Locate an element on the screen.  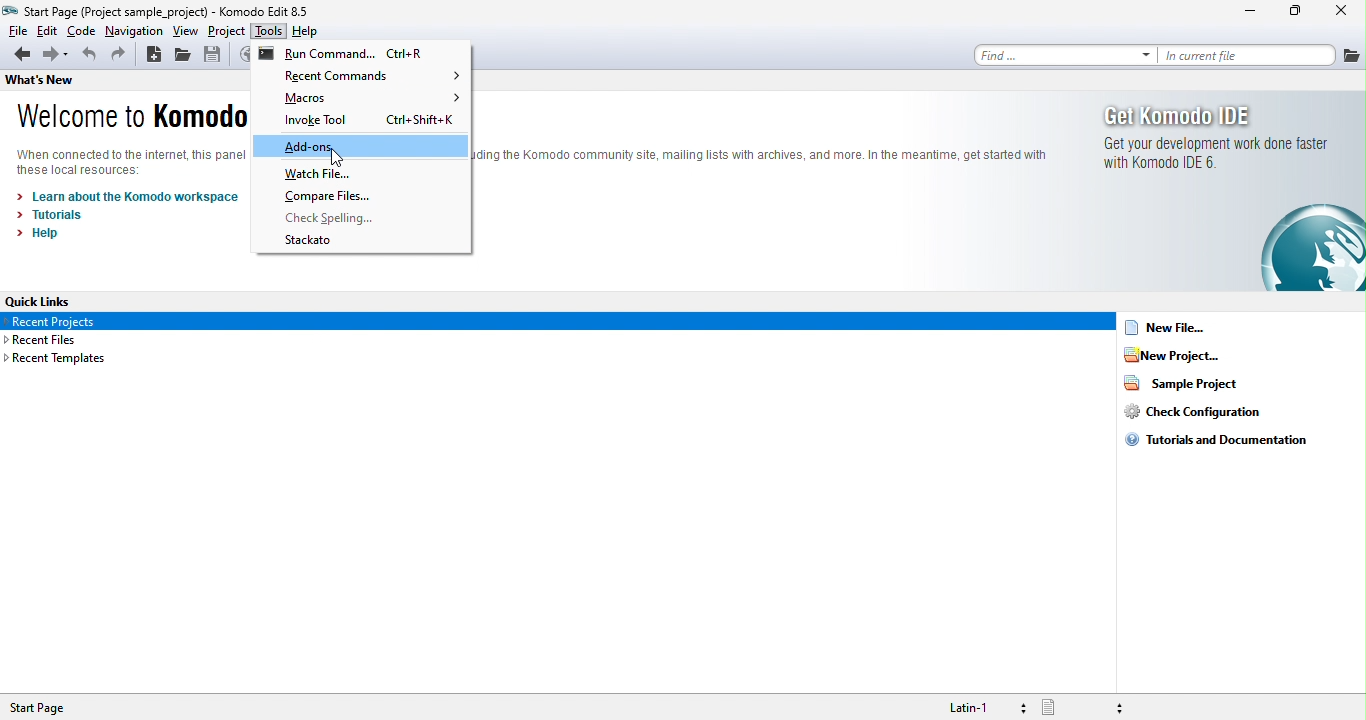
new file is located at coordinates (1189, 330).